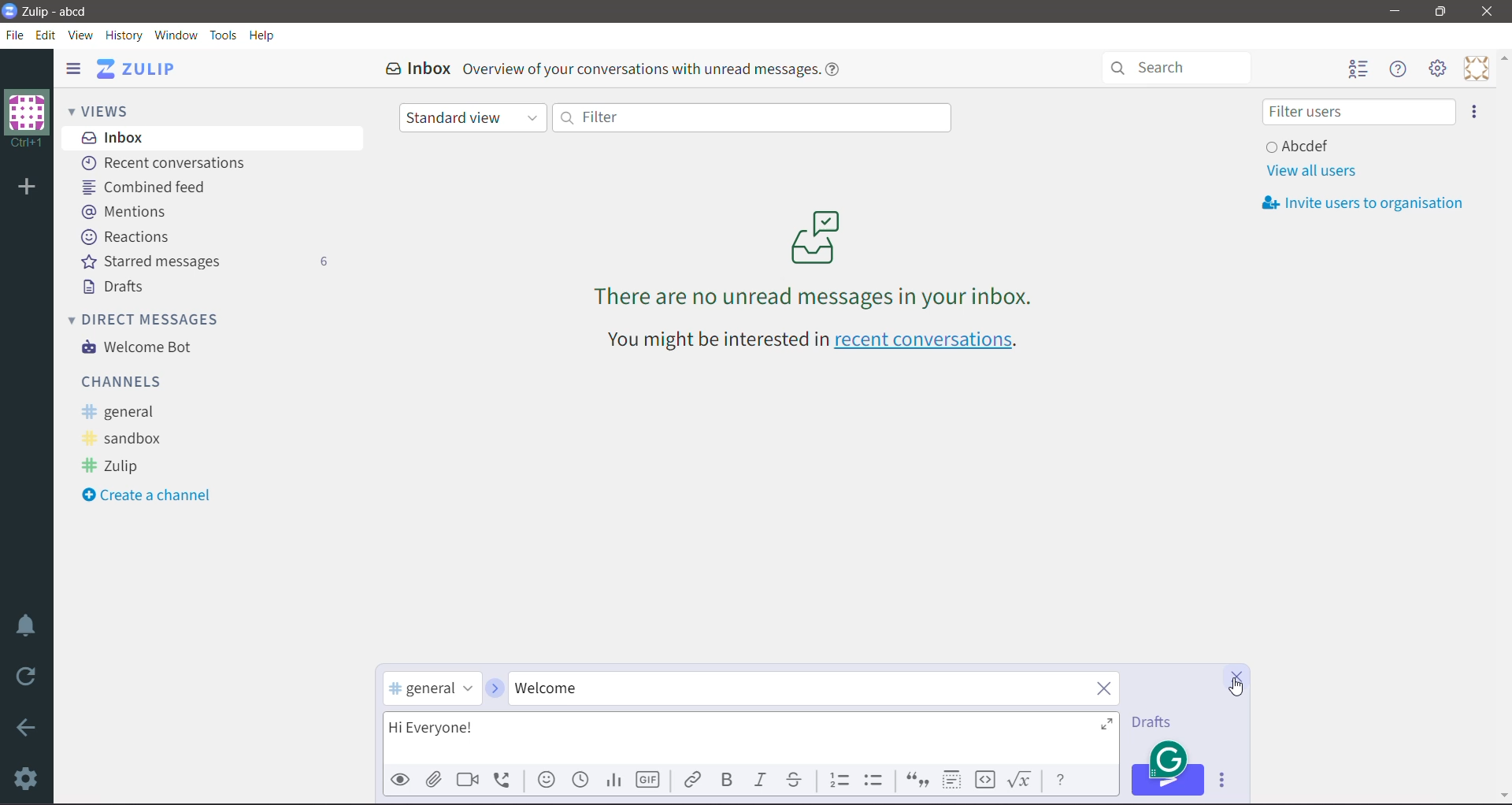  I want to click on There are no unread messages in your inbox, so click(815, 258).